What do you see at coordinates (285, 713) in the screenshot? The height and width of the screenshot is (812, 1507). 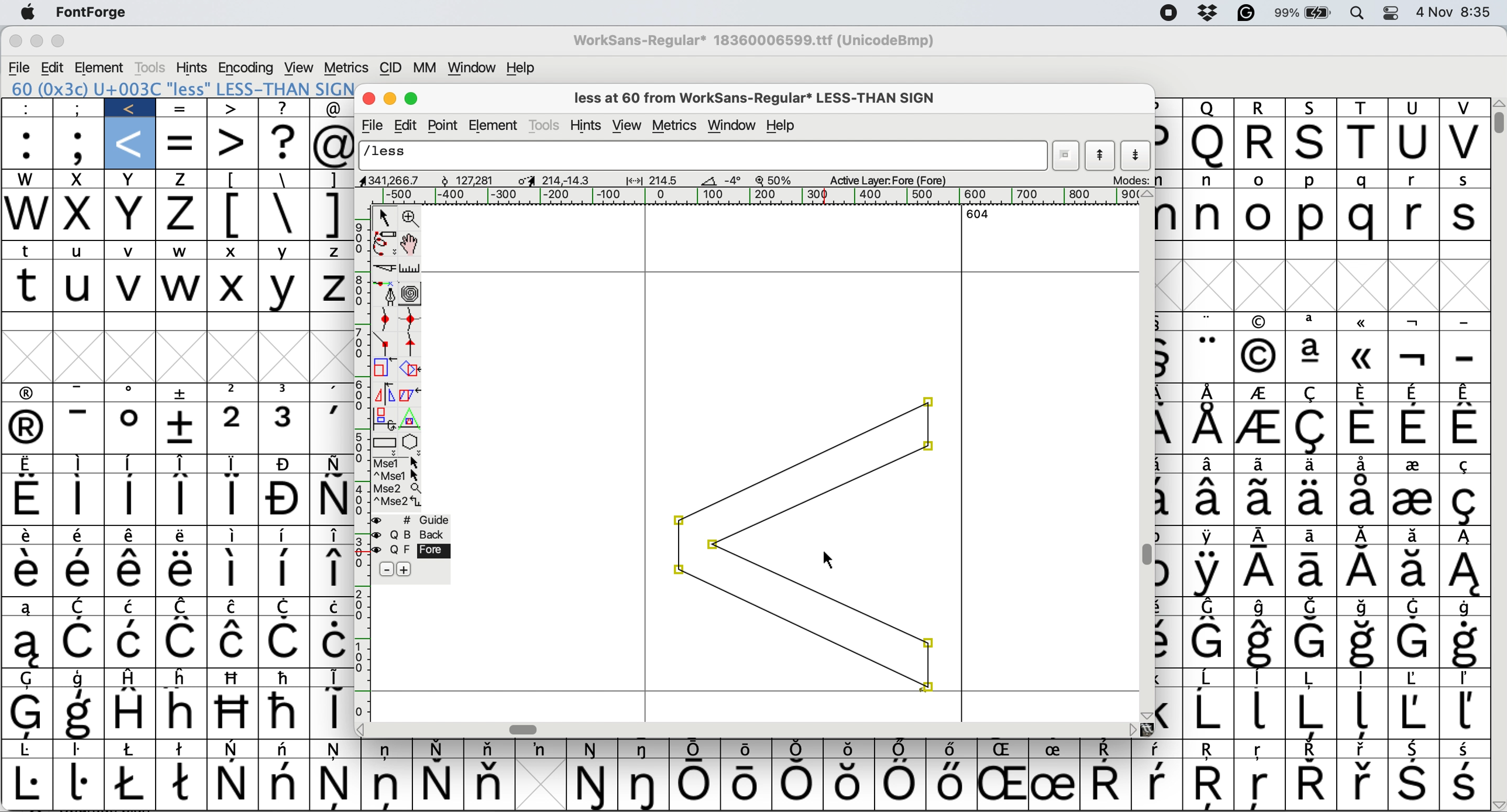 I see `Symbol` at bounding box center [285, 713].